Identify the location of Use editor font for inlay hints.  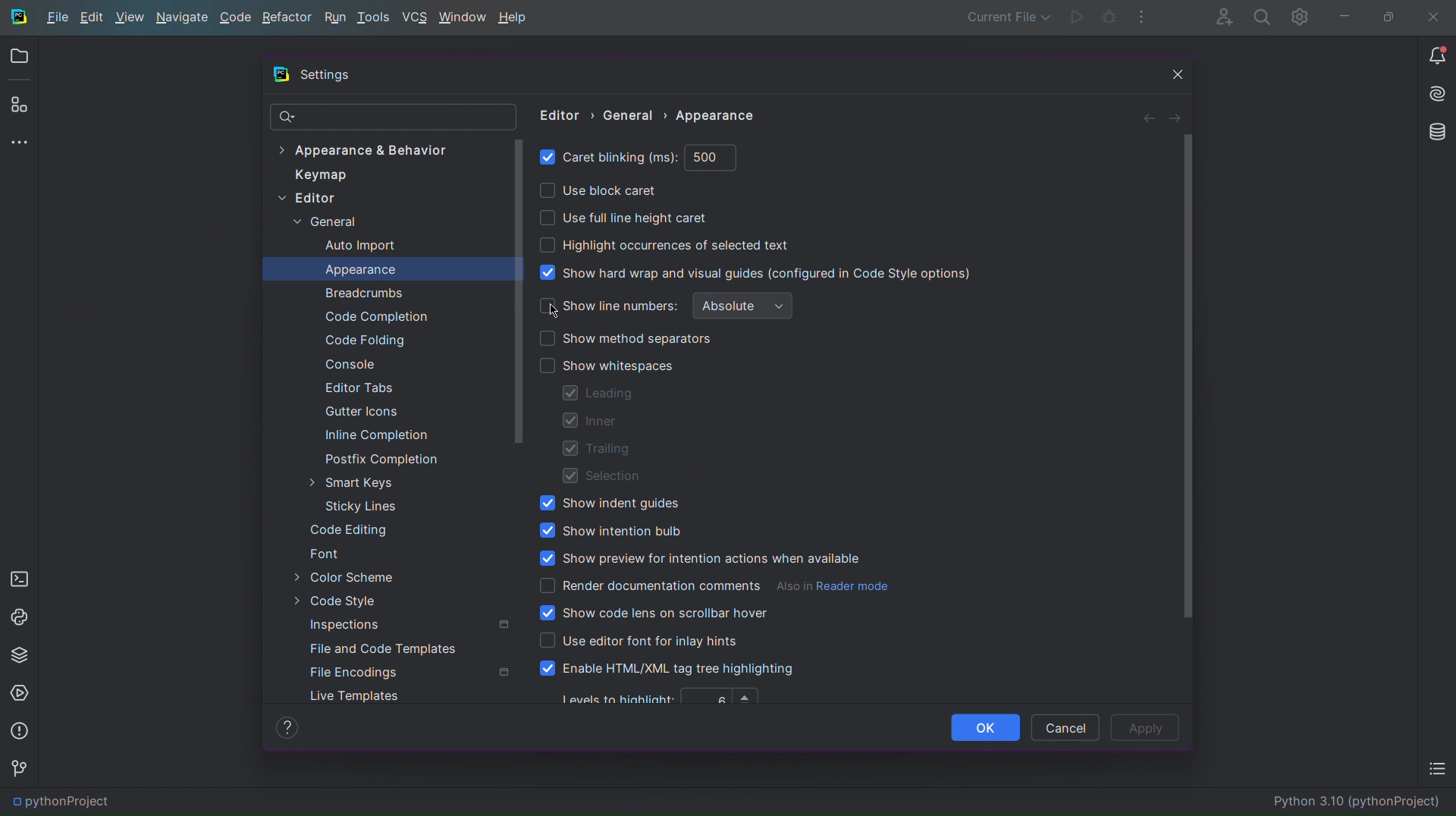
(639, 642).